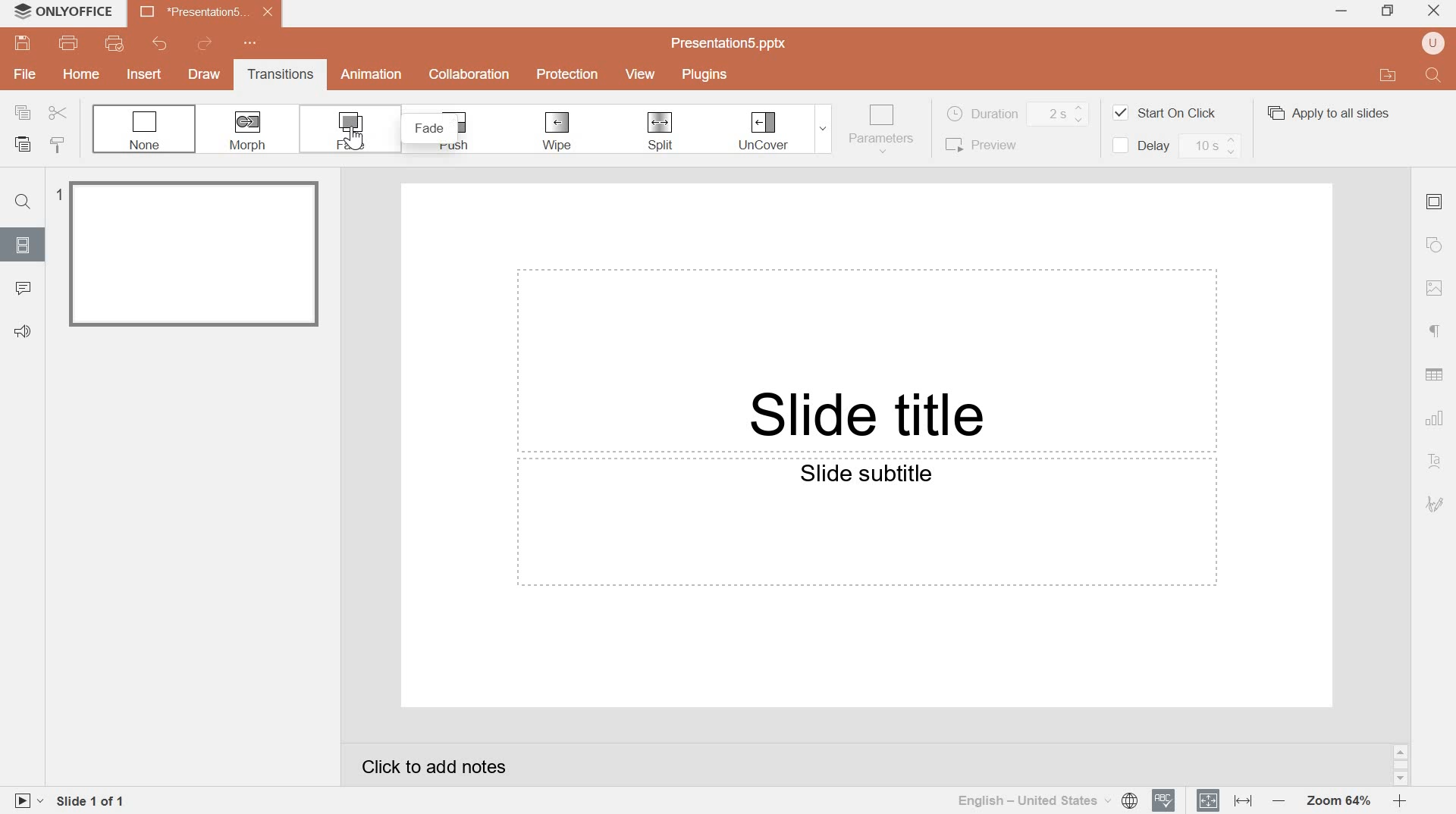 The width and height of the screenshot is (1456, 814). Describe the element at coordinates (882, 130) in the screenshot. I see `Parameters` at that location.